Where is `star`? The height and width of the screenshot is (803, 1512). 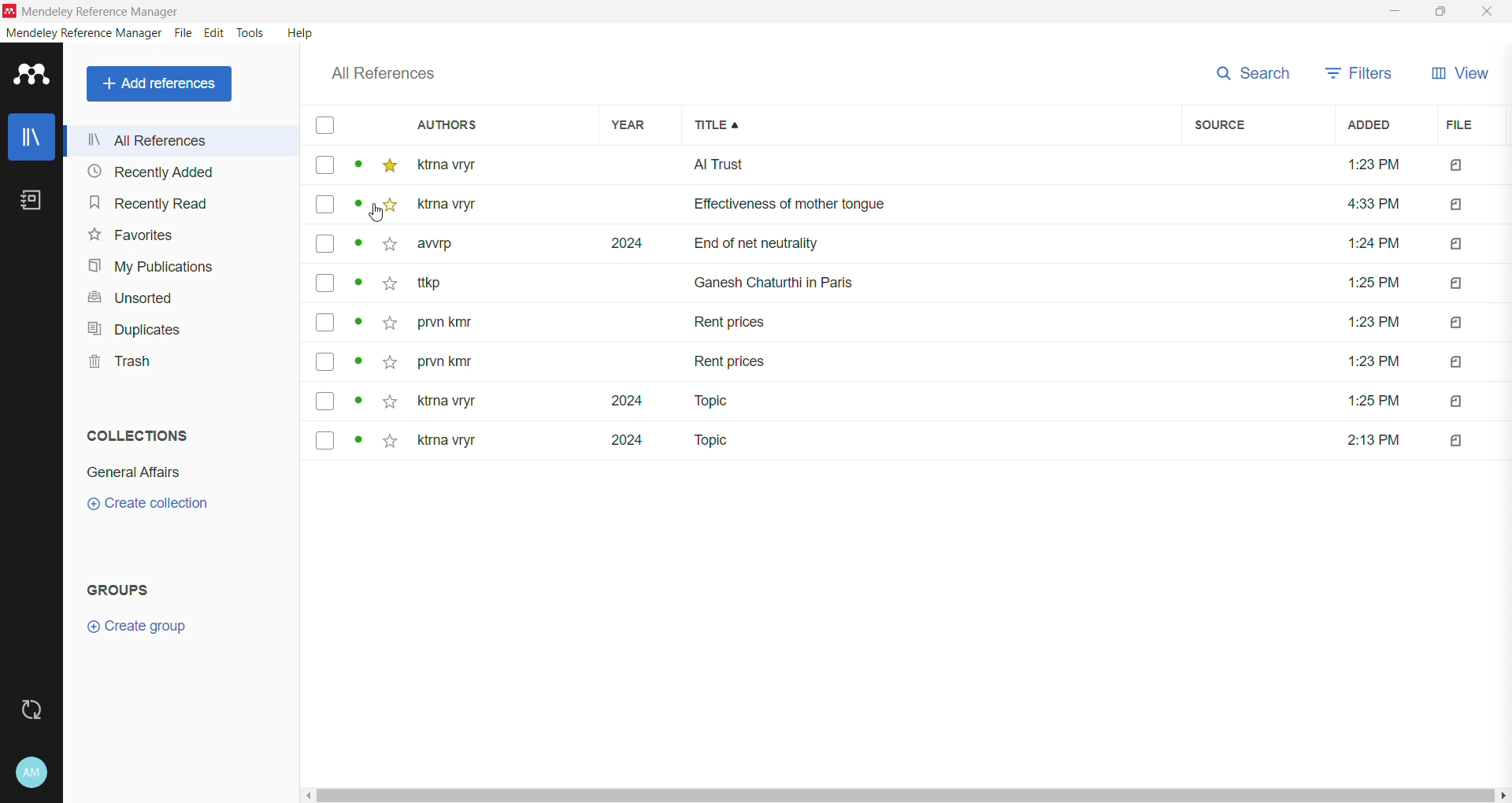
star is located at coordinates (387, 287).